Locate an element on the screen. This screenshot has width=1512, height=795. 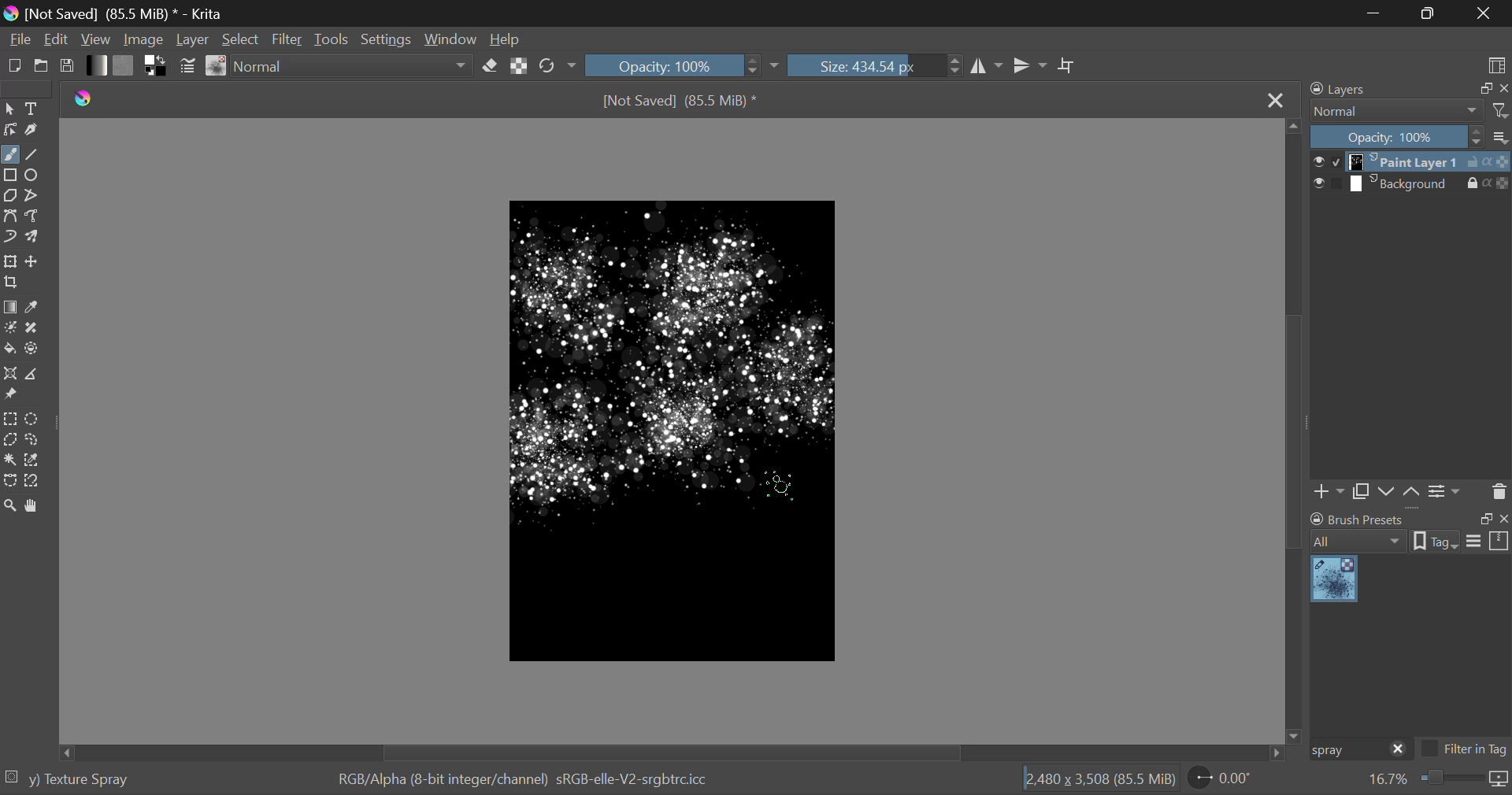
Open is located at coordinates (42, 65).